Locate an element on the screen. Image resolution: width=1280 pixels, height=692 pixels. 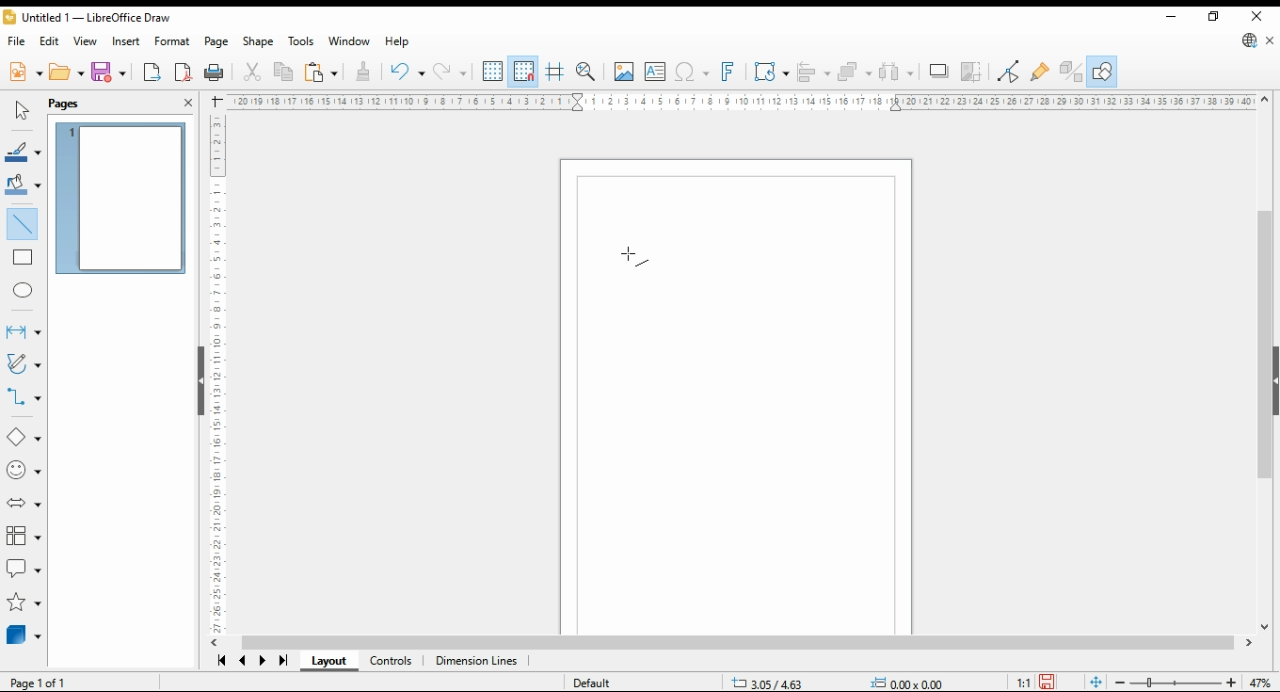
0.00x0.00 is located at coordinates (905, 683).